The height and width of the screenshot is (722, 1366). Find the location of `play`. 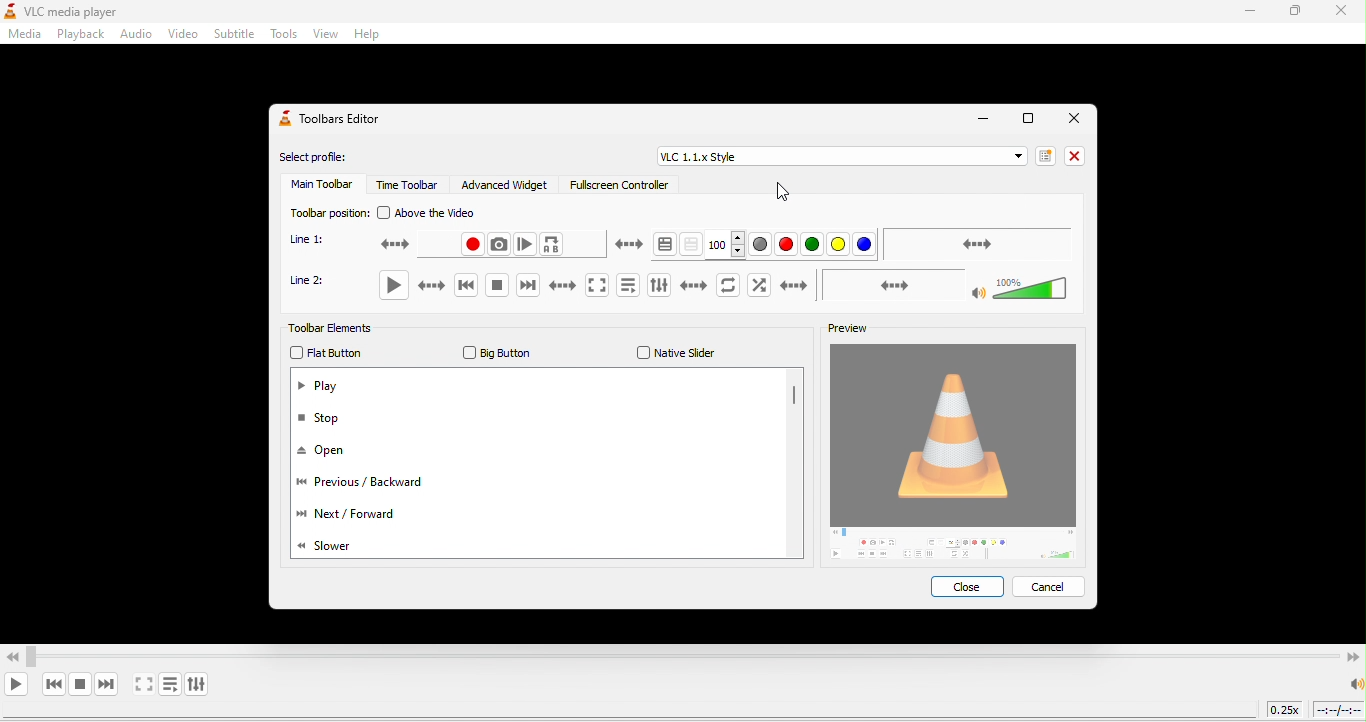

play is located at coordinates (321, 388).